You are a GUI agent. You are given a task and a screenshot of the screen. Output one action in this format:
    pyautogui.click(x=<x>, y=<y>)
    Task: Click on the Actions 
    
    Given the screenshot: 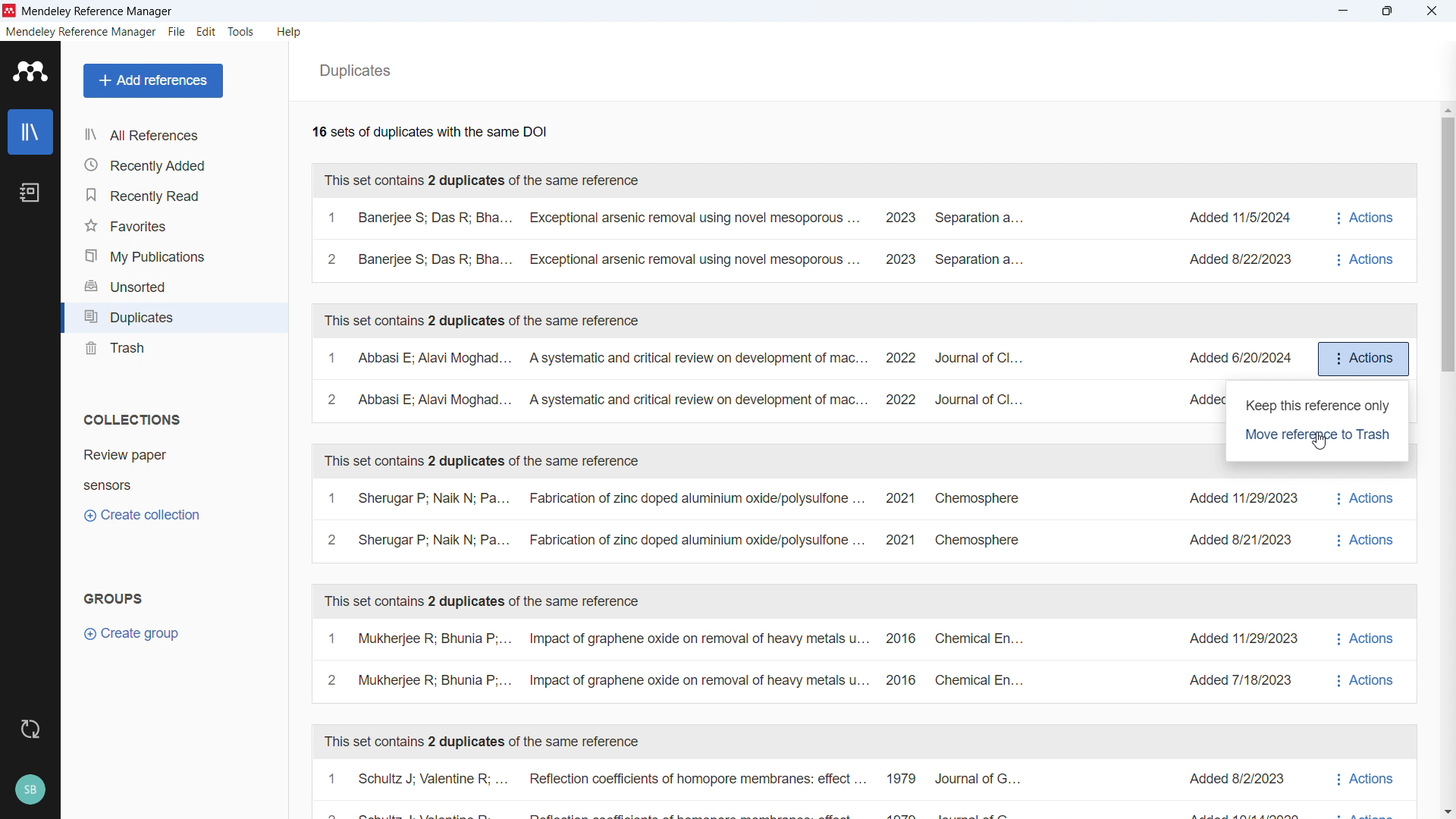 What is the action you would take?
    pyautogui.click(x=1365, y=357)
    